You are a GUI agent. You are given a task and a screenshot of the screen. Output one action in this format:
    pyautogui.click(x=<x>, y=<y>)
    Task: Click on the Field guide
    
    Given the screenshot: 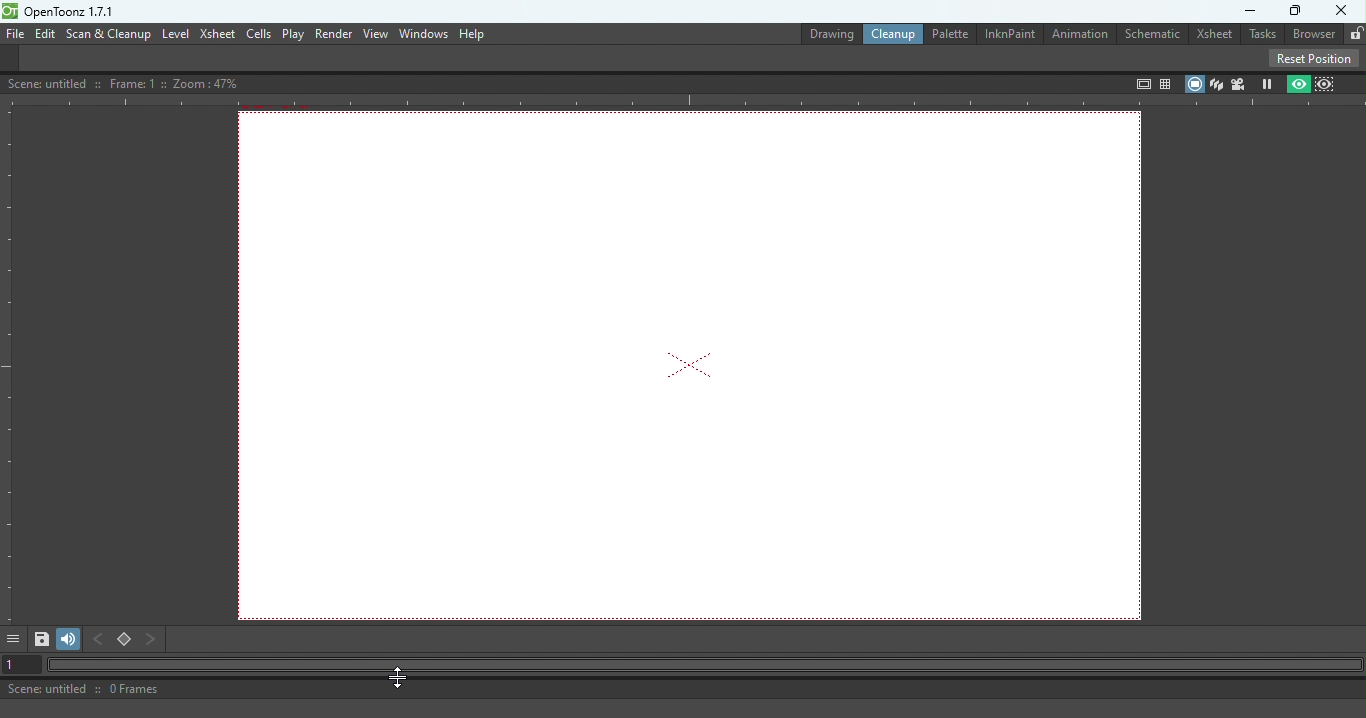 What is the action you would take?
    pyautogui.click(x=1168, y=80)
    